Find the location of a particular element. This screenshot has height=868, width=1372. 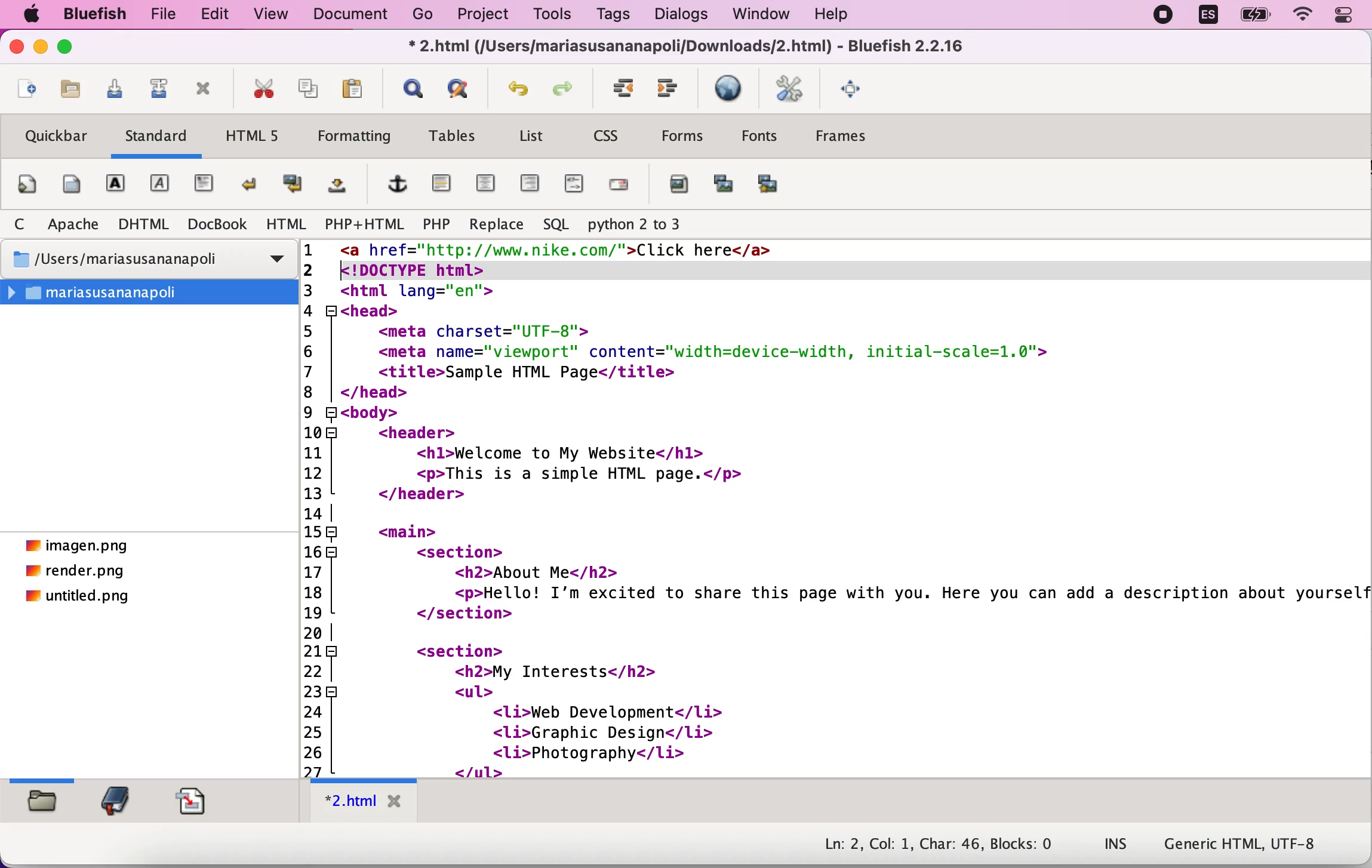

sql is located at coordinates (552, 226).